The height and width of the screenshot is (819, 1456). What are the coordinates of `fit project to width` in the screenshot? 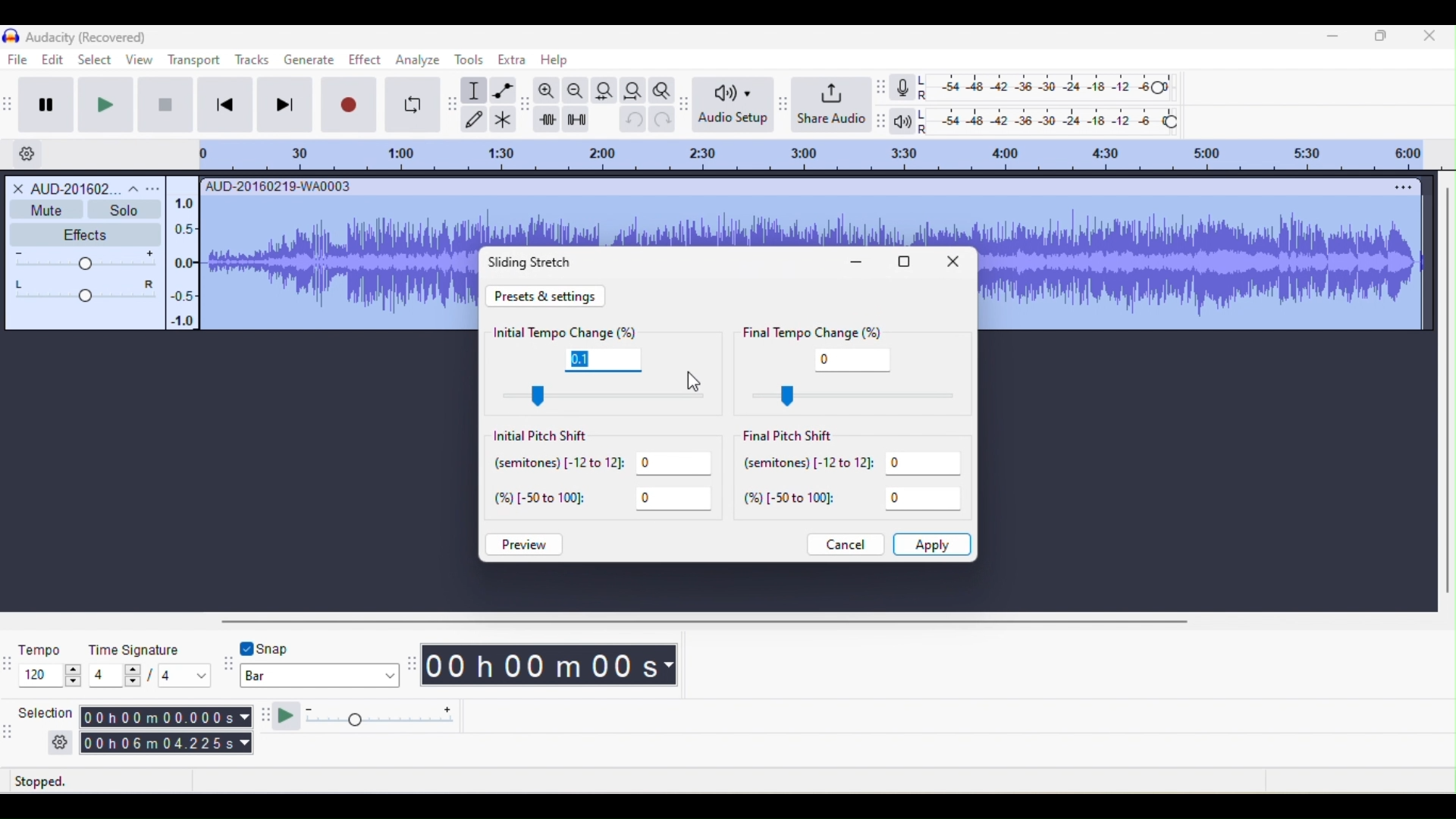 It's located at (634, 87).